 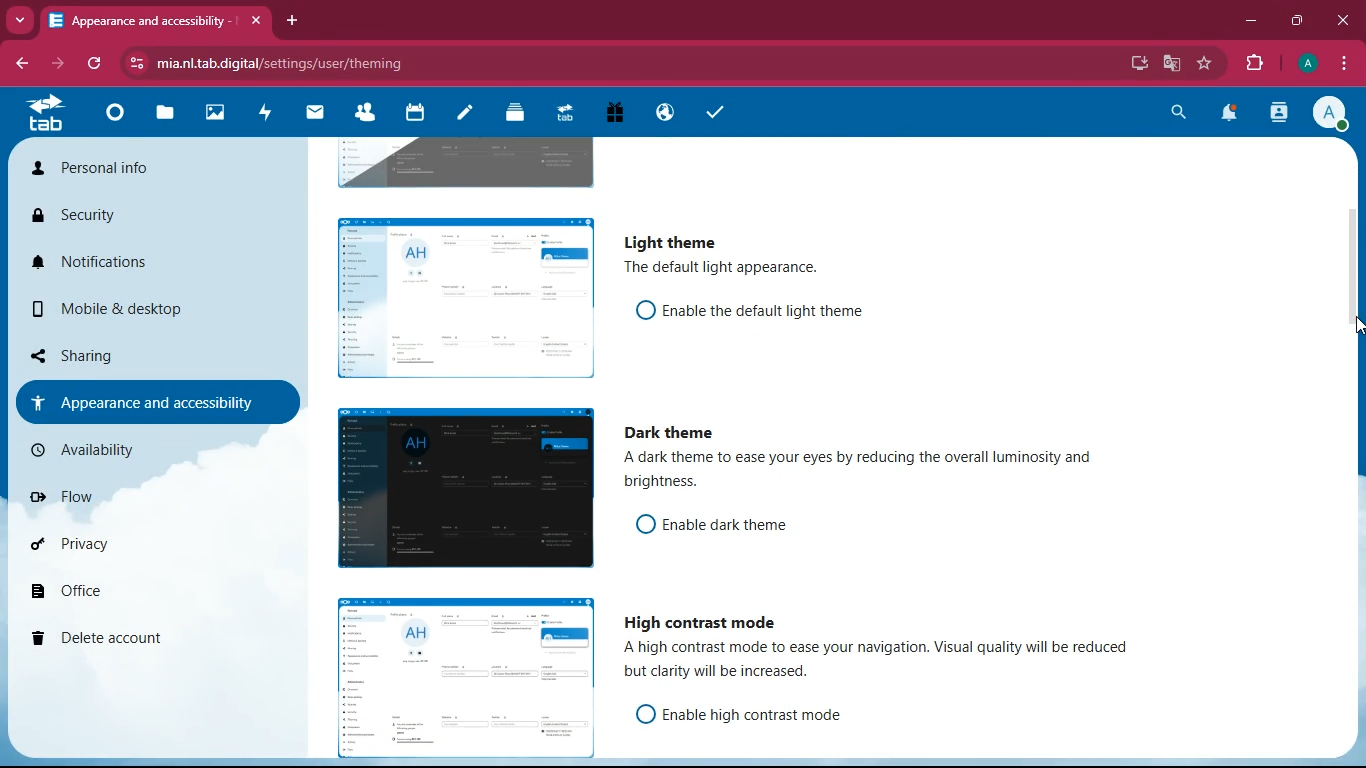 What do you see at coordinates (122, 355) in the screenshot?
I see `sharing` at bounding box center [122, 355].